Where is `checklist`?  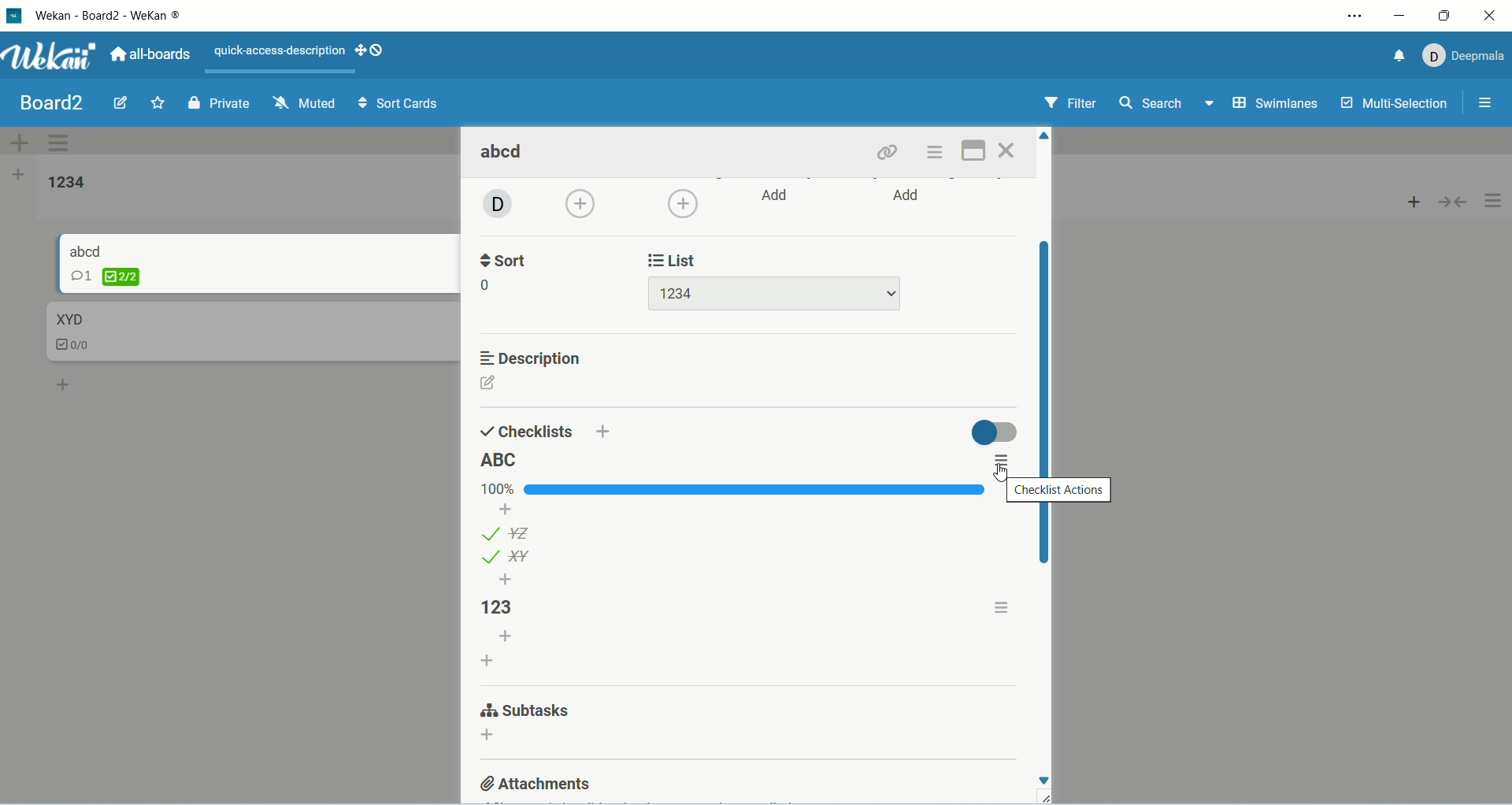 checklist is located at coordinates (80, 347).